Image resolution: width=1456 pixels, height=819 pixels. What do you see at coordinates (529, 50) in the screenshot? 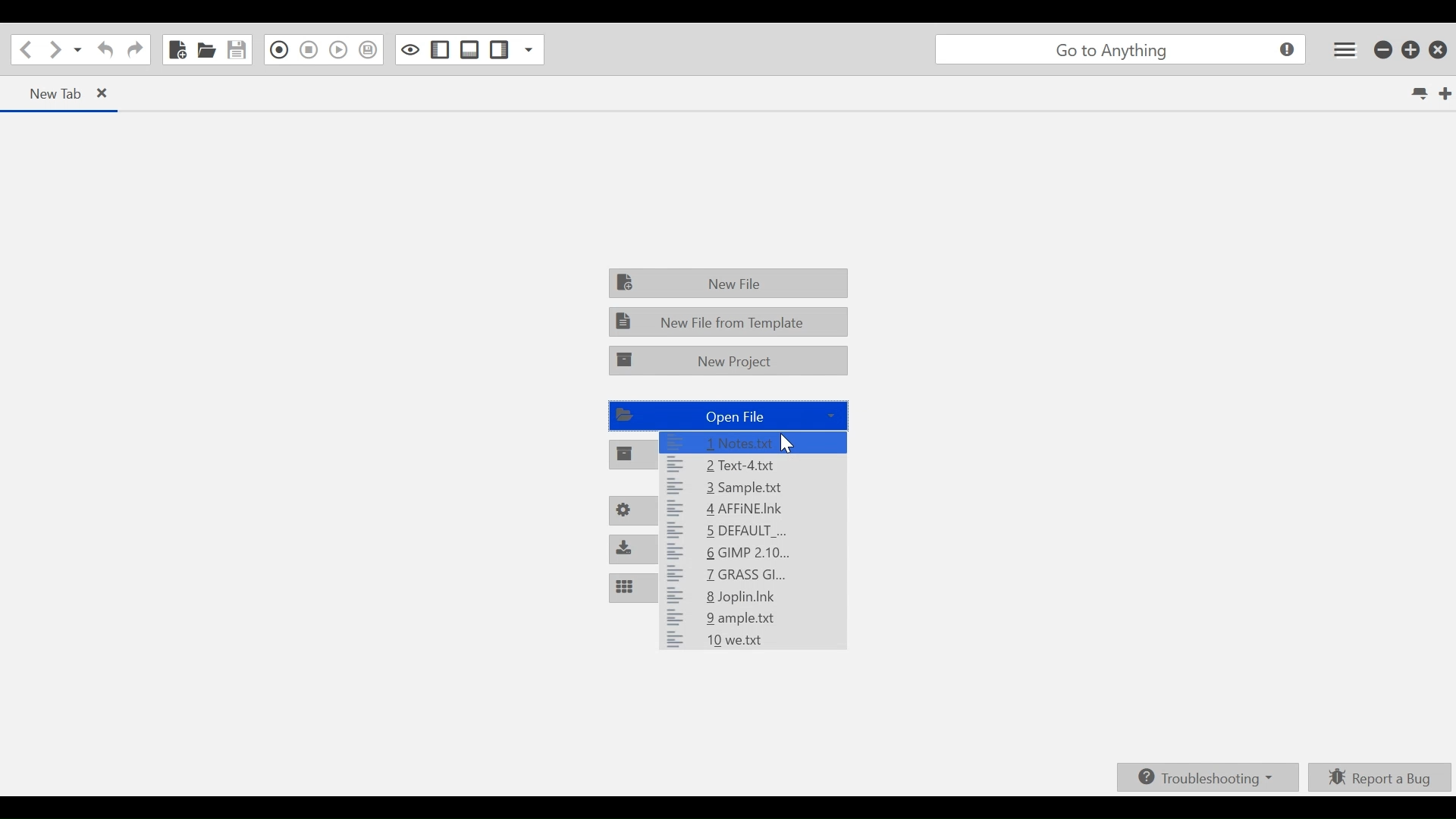
I see `Show Specific Sidebar` at bounding box center [529, 50].